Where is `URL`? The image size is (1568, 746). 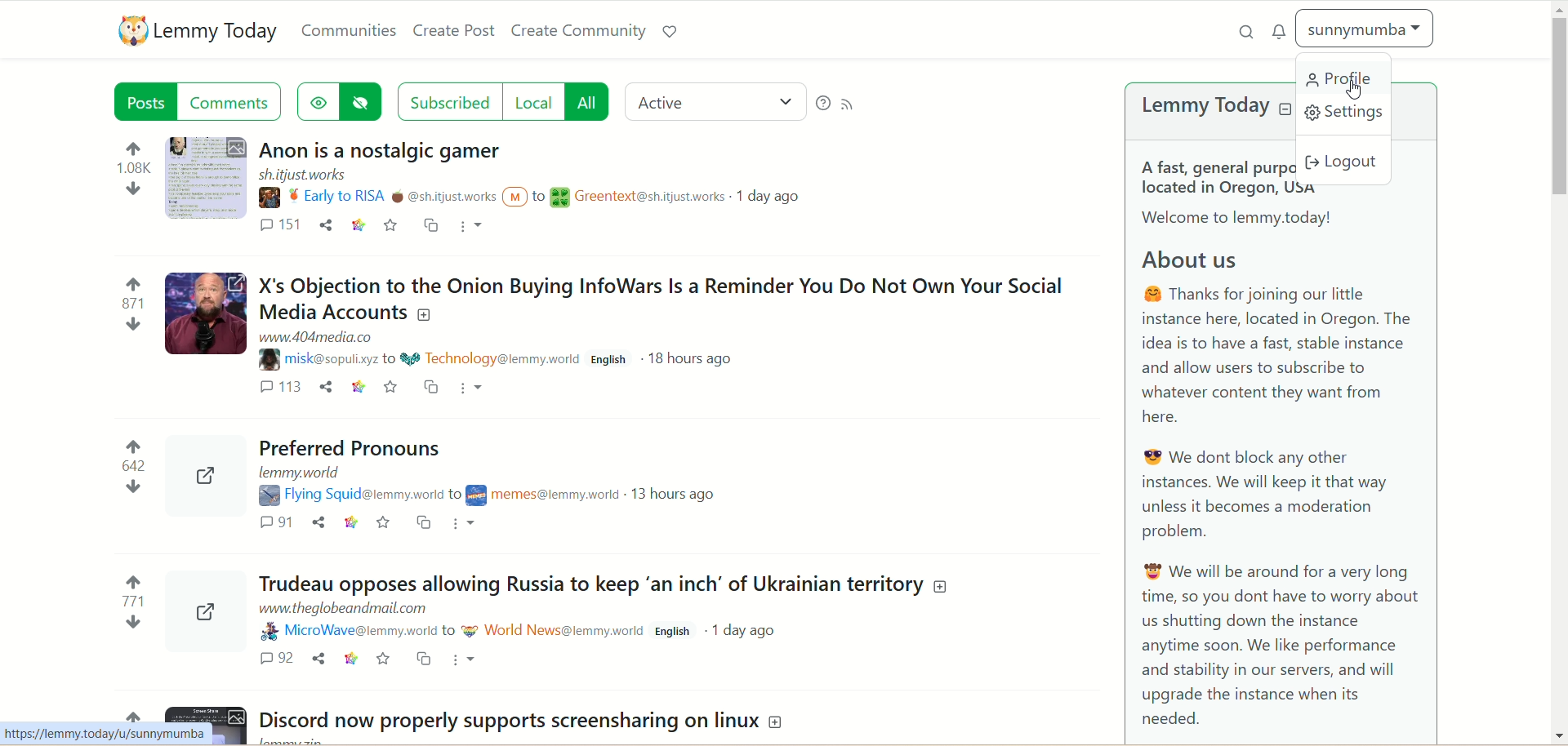
URL is located at coordinates (336, 610).